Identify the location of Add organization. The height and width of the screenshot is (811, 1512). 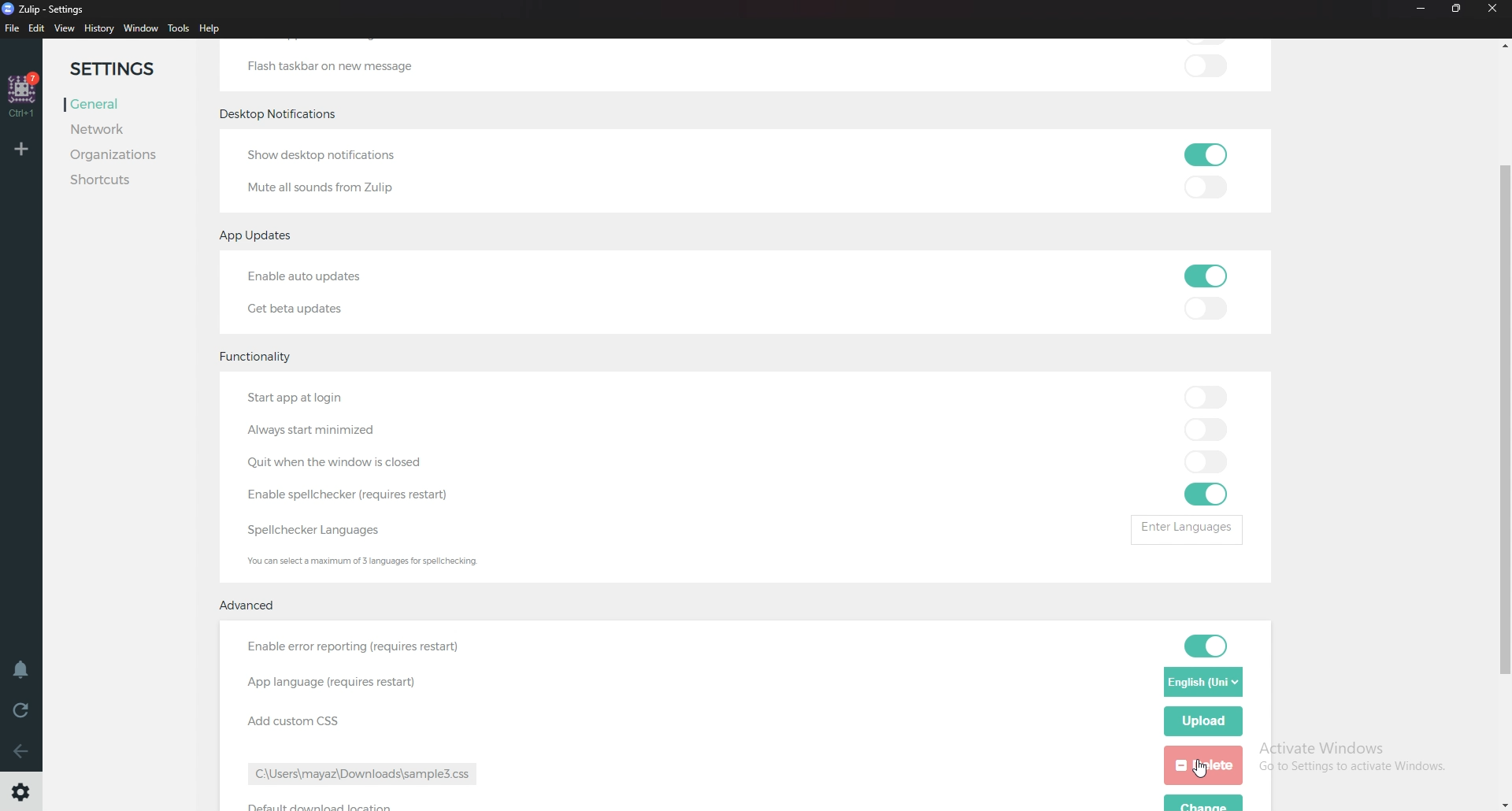
(20, 149).